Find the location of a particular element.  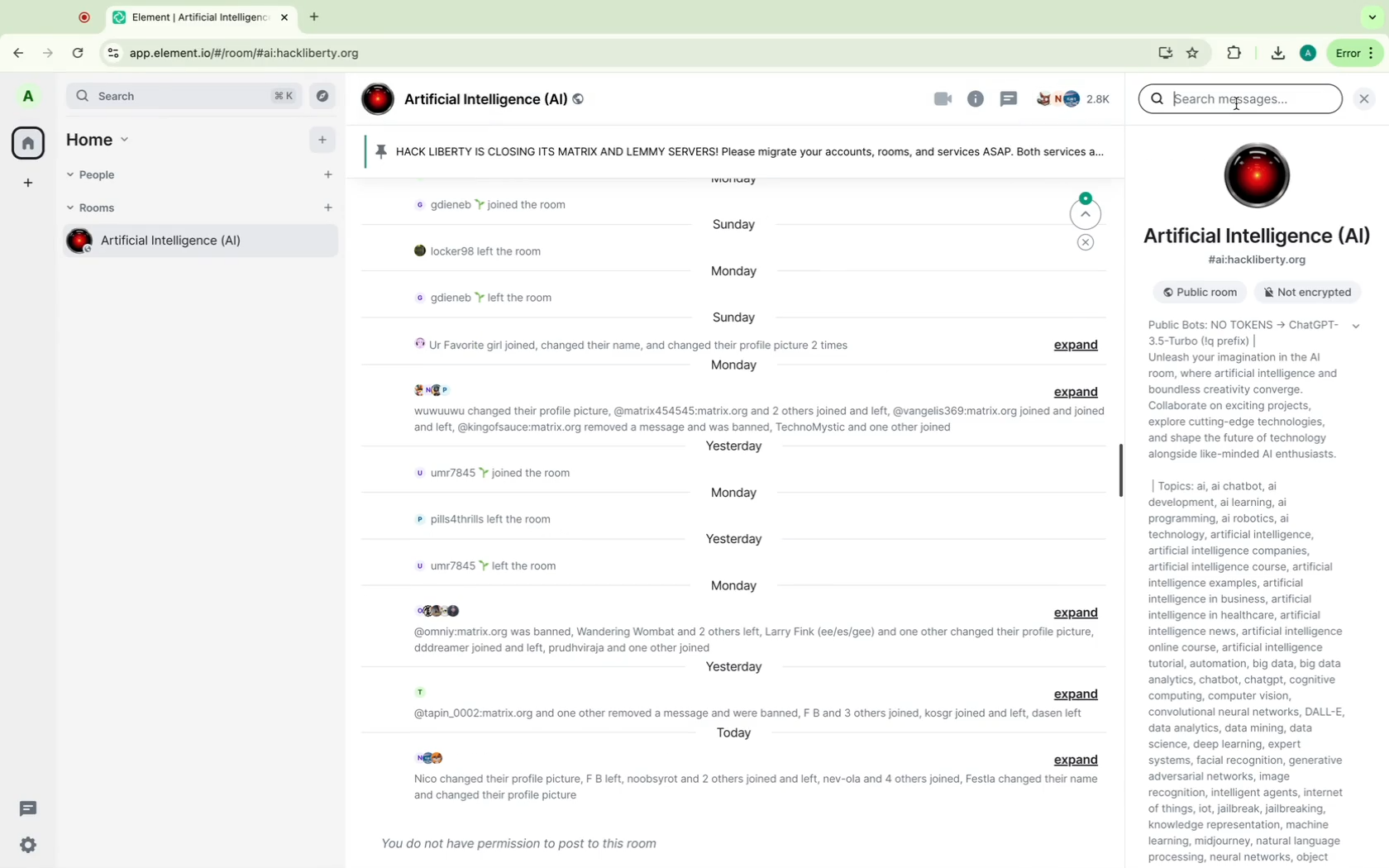

start chat is located at coordinates (328, 181).